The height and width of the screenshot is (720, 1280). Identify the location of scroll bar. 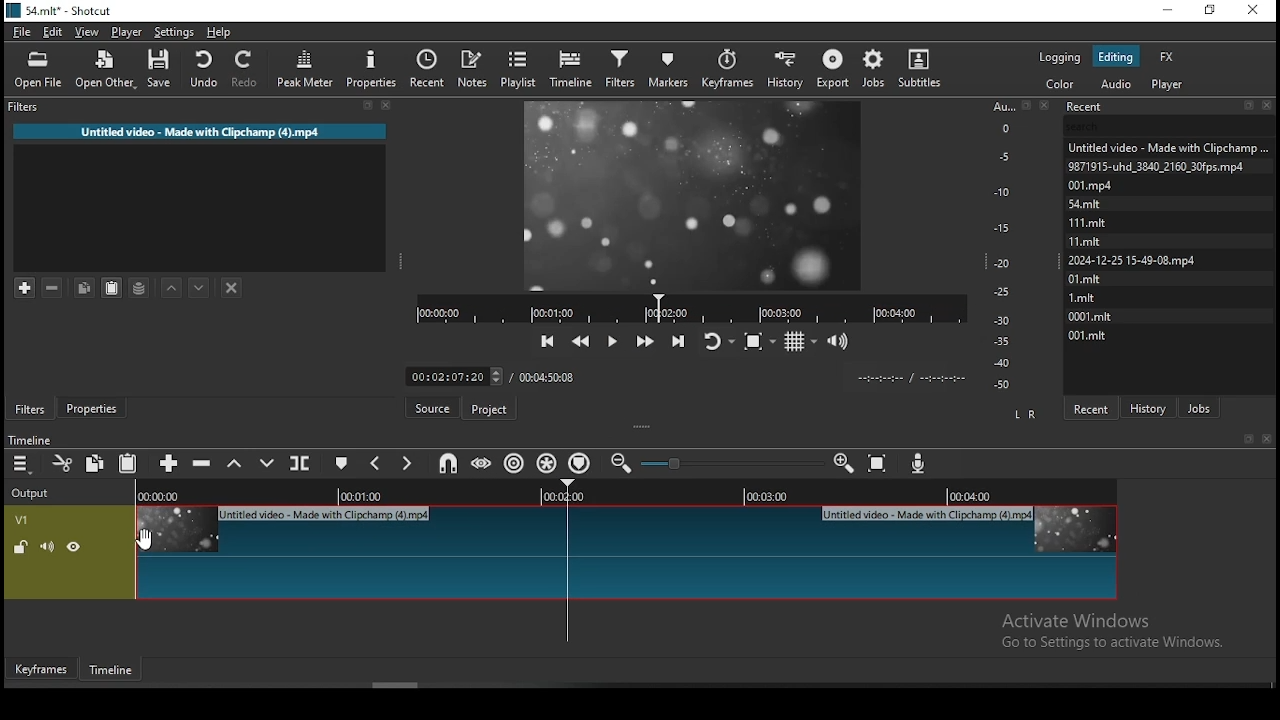
(380, 684).